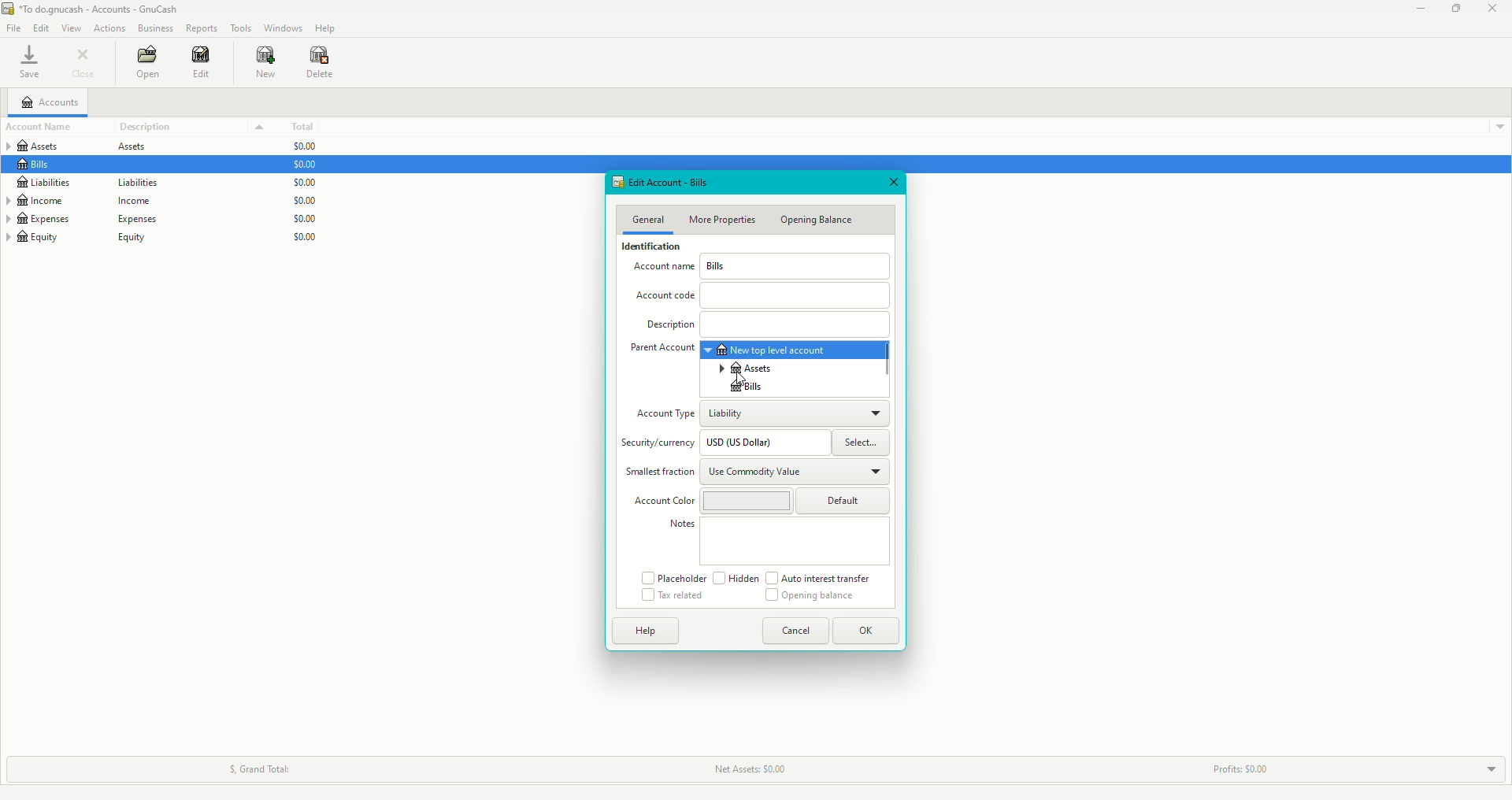 The width and height of the screenshot is (1512, 800). What do you see at coordinates (89, 147) in the screenshot?
I see `Assets` at bounding box center [89, 147].